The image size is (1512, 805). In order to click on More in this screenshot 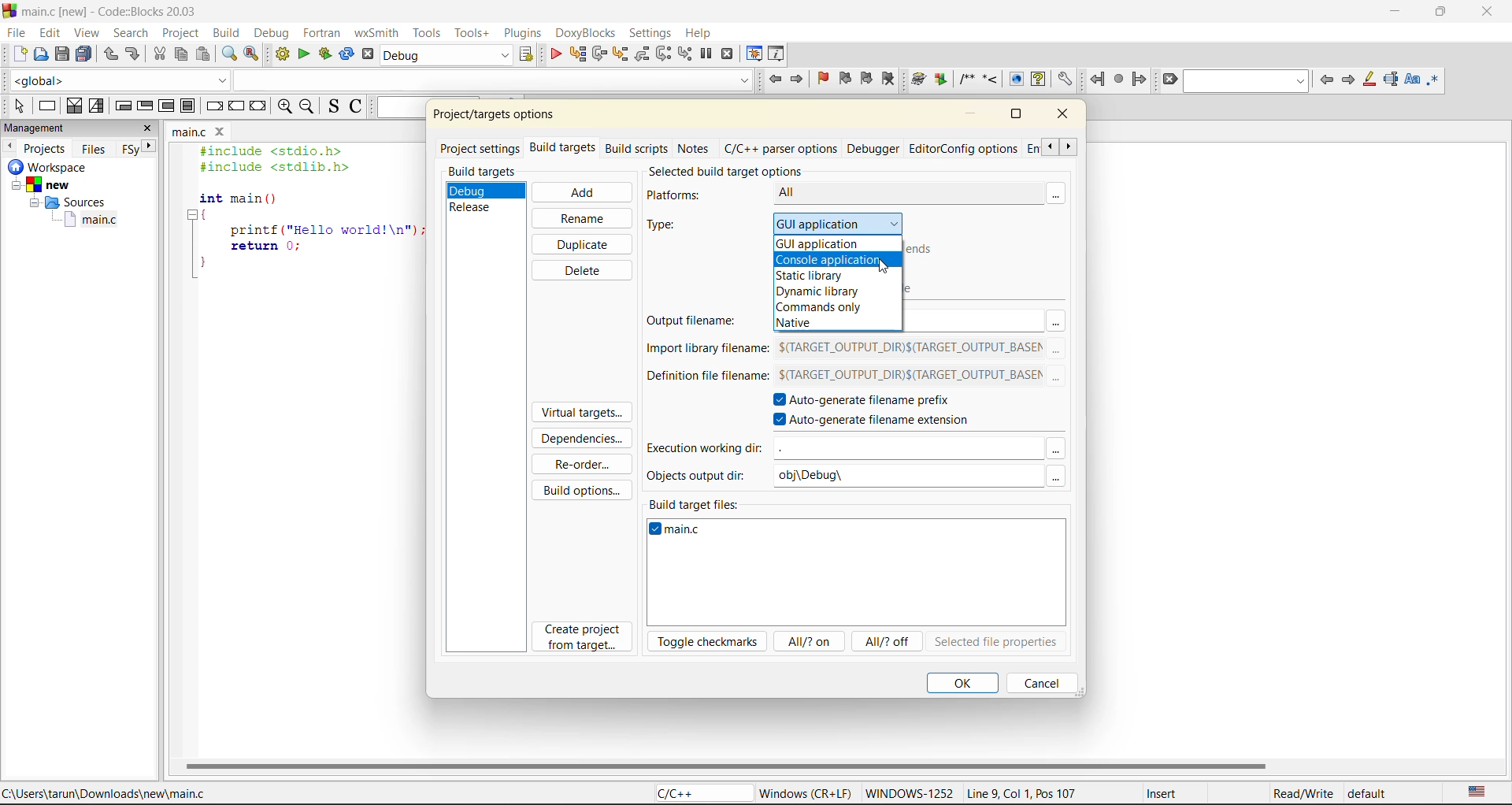, I will do `click(1058, 379)`.